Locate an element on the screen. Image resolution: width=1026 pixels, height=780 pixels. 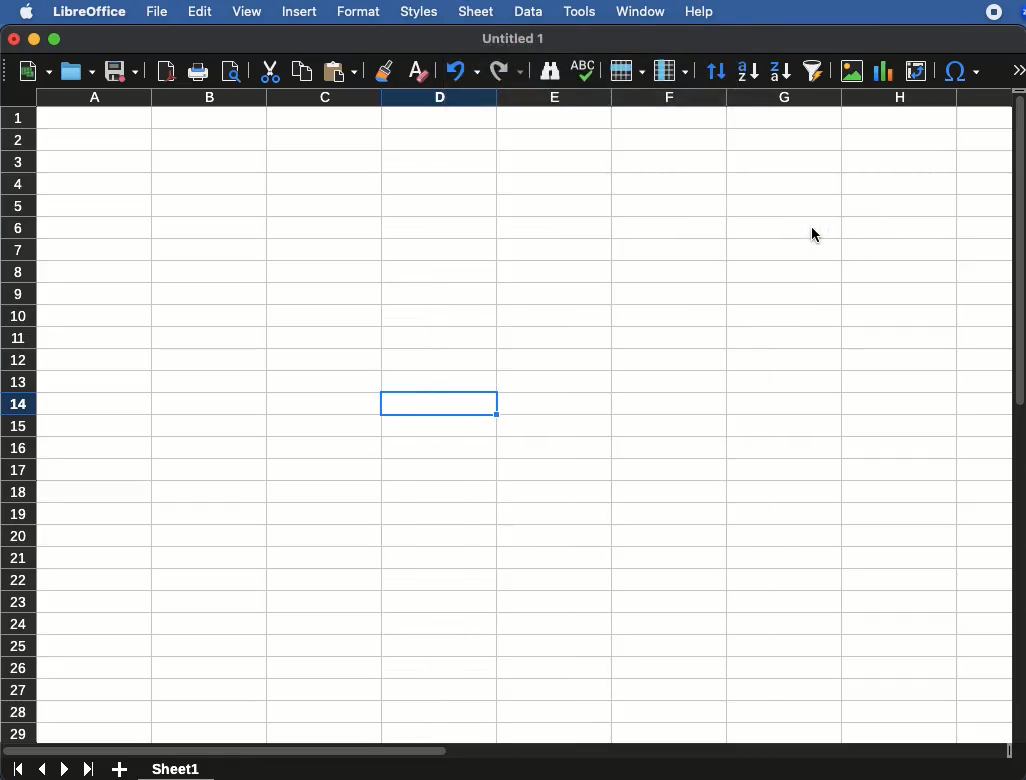
sort is located at coordinates (717, 70).